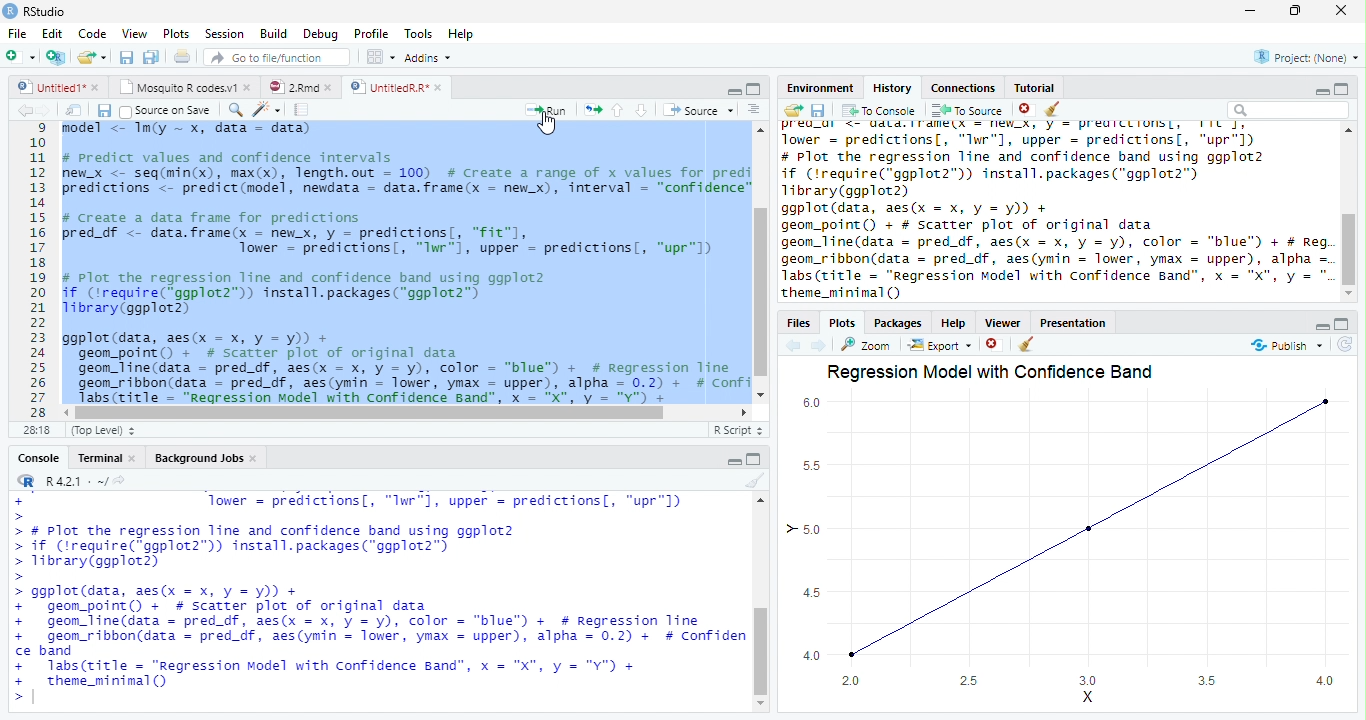 The width and height of the screenshot is (1366, 720). Describe the element at coordinates (462, 35) in the screenshot. I see `Help` at that location.